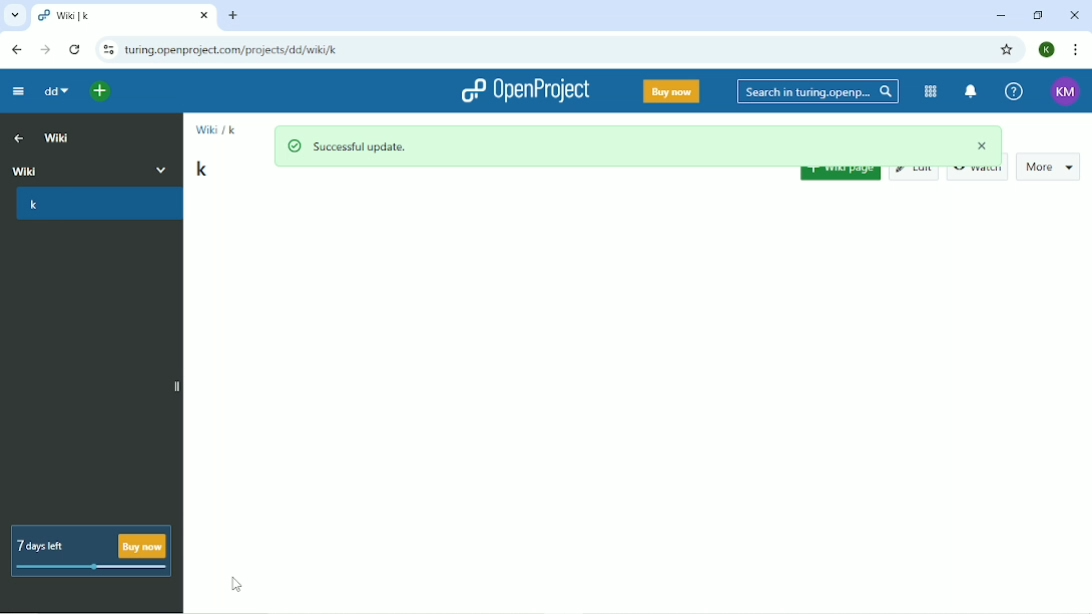  What do you see at coordinates (816, 92) in the screenshot?
I see `Search in turing.openp` at bounding box center [816, 92].